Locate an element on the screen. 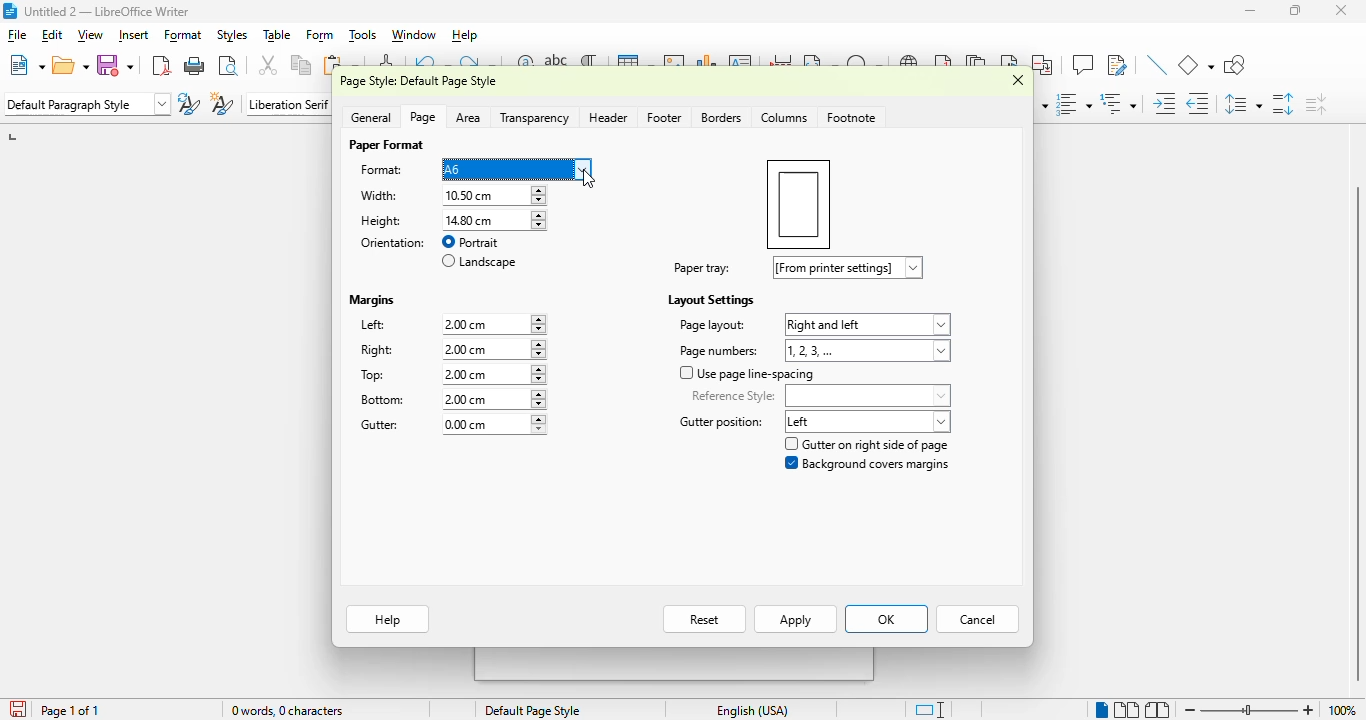  maximize is located at coordinates (1294, 10).